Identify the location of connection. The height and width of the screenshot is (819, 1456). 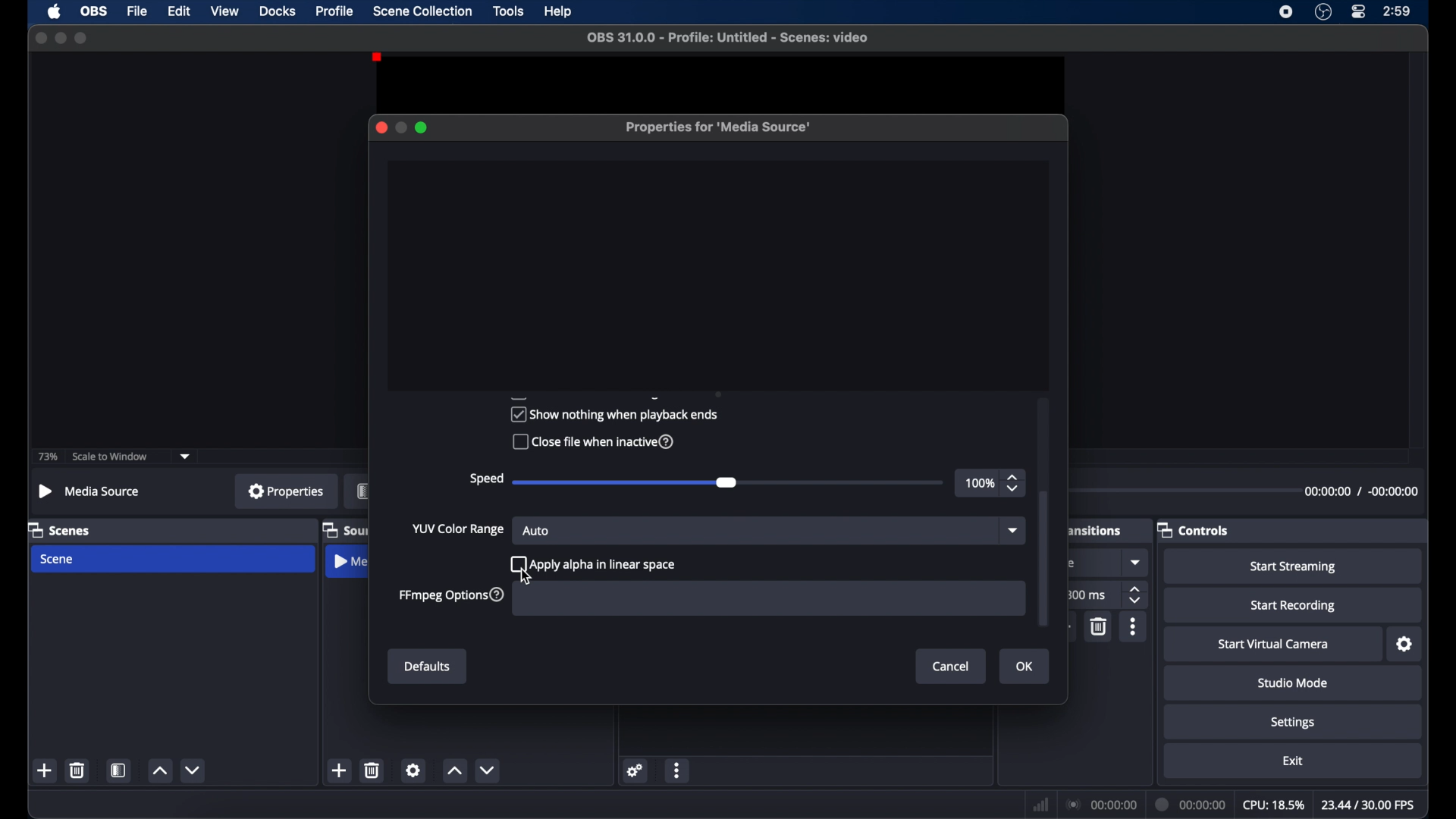
(1100, 805).